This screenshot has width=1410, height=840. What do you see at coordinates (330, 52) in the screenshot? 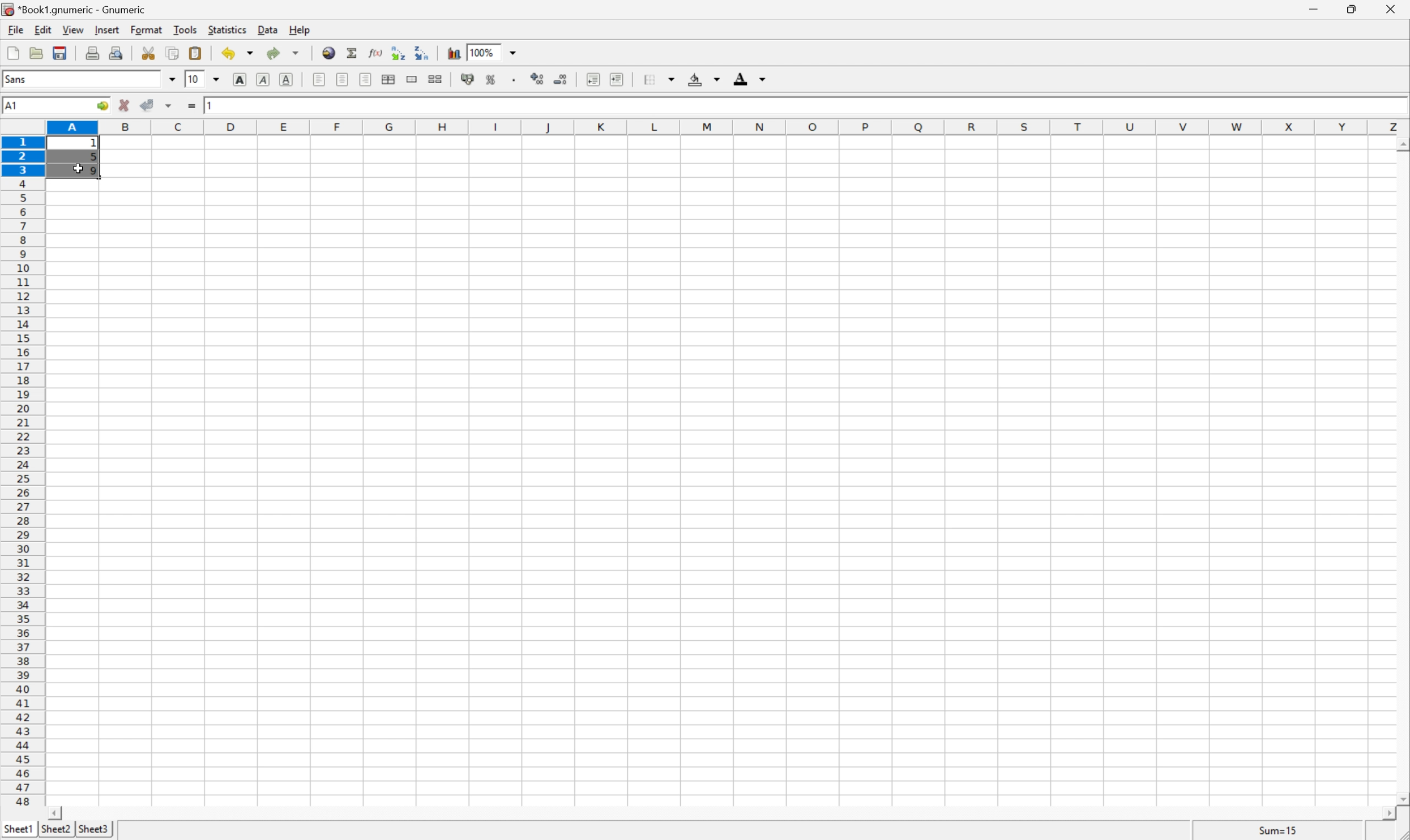
I see `insert hyperlink` at bounding box center [330, 52].